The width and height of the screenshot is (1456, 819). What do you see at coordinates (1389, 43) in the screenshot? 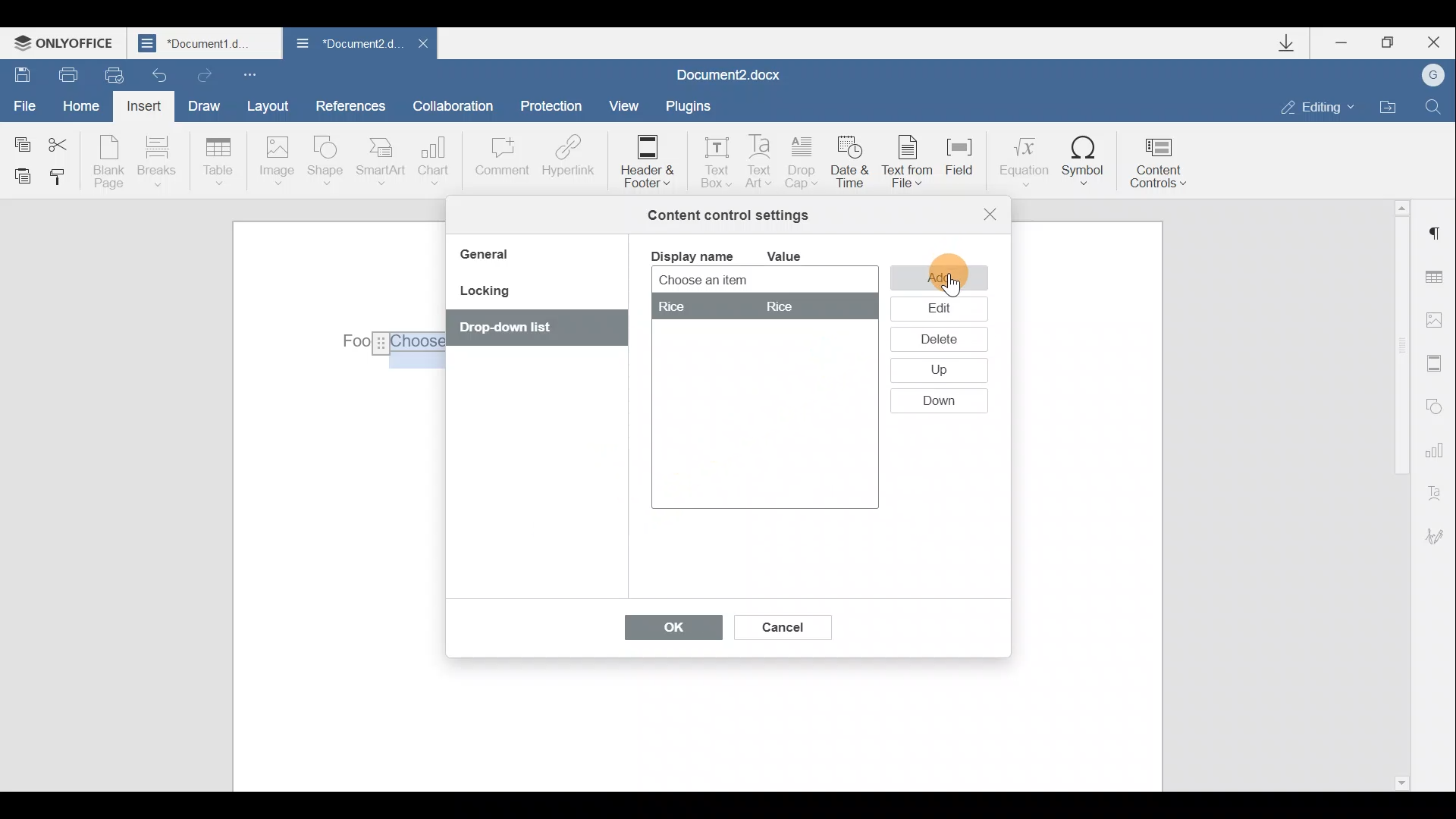
I see `Maximize` at bounding box center [1389, 43].